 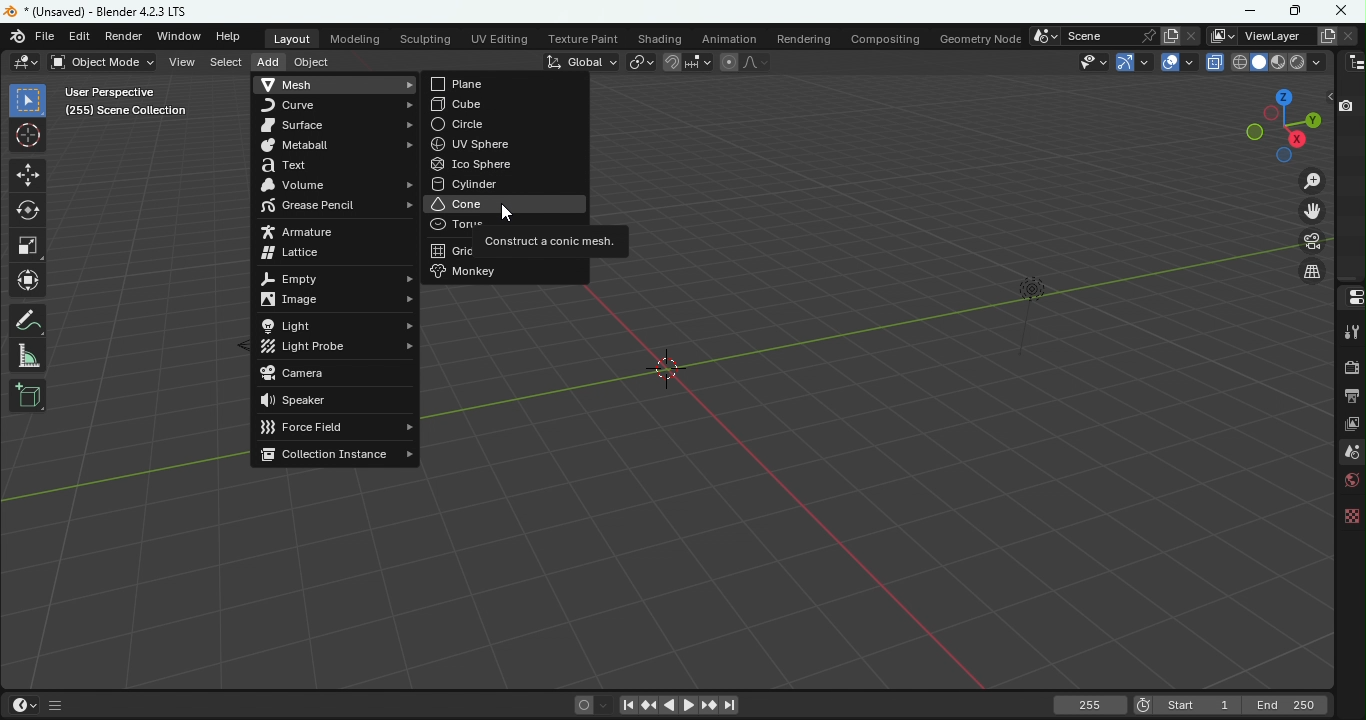 I want to click on Rotate the scene, so click(x=1284, y=96).